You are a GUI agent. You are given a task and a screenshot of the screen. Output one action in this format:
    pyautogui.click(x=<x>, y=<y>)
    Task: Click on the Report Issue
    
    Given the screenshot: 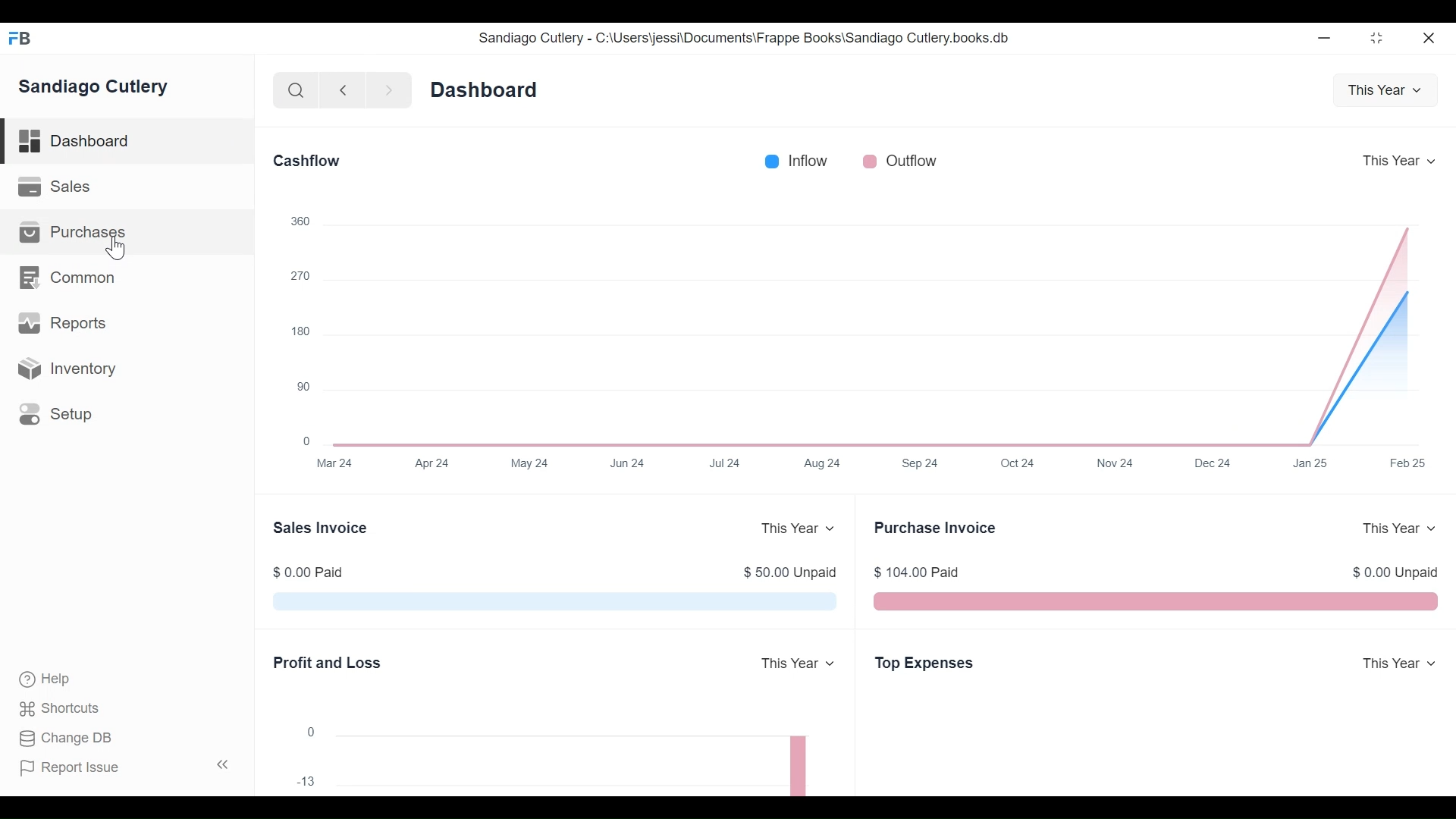 What is the action you would take?
    pyautogui.click(x=124, y=767)
    